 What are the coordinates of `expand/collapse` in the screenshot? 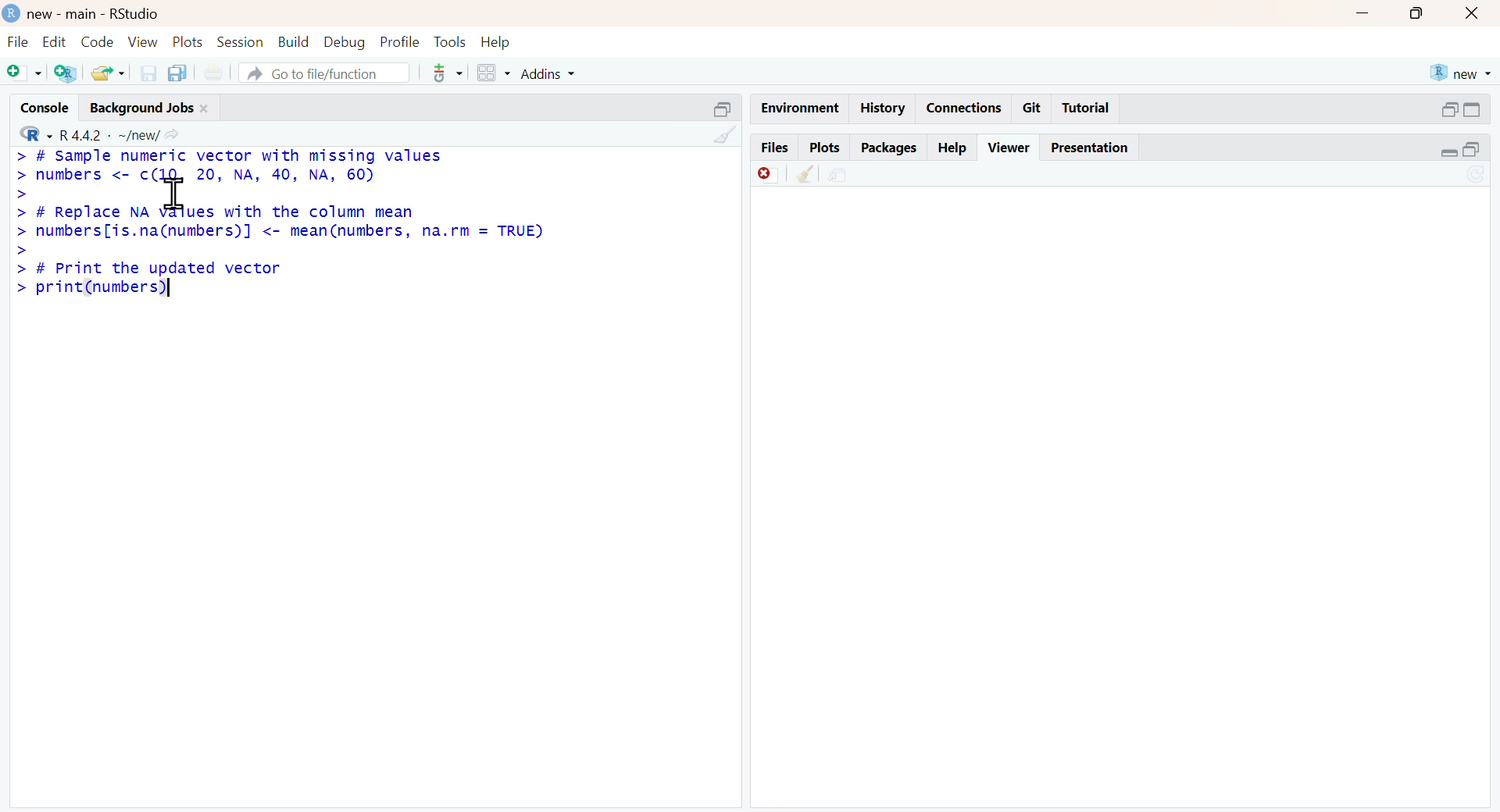 It's located at (1472, 109).